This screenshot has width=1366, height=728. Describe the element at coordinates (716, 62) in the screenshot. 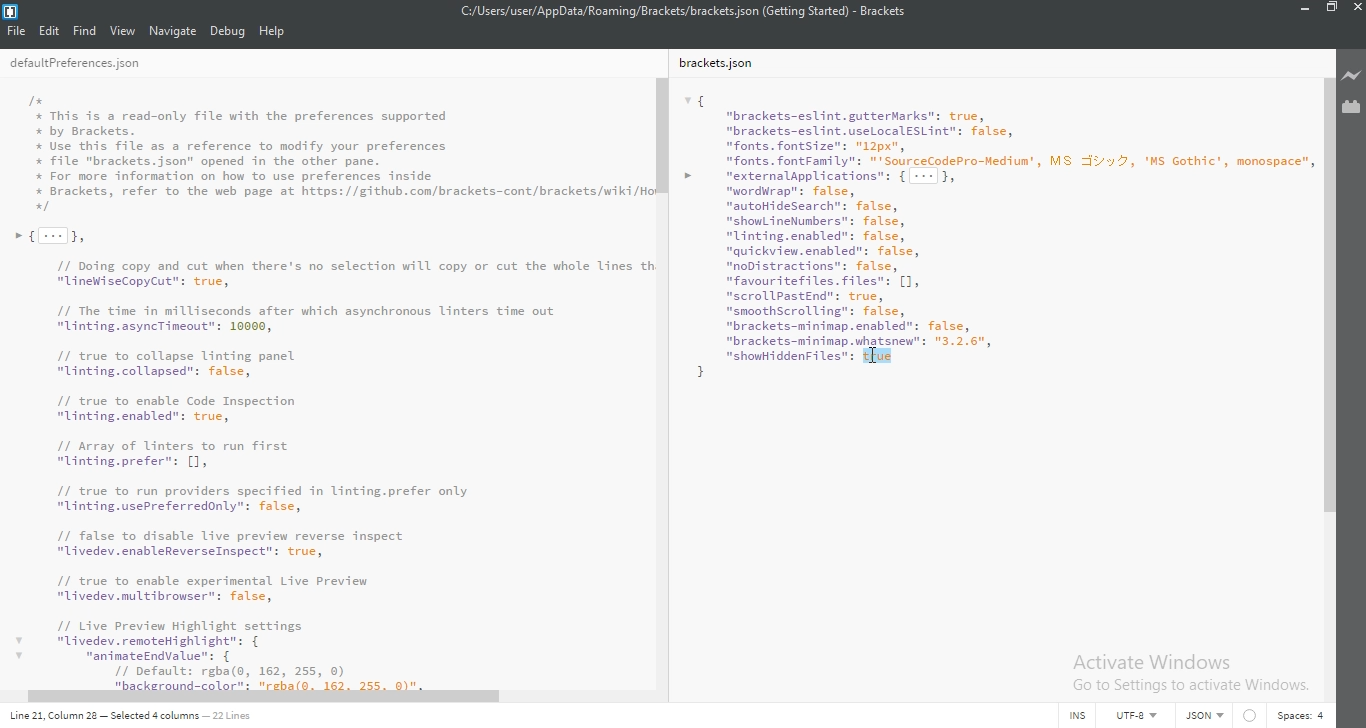

I see `brackets.json` at that location.